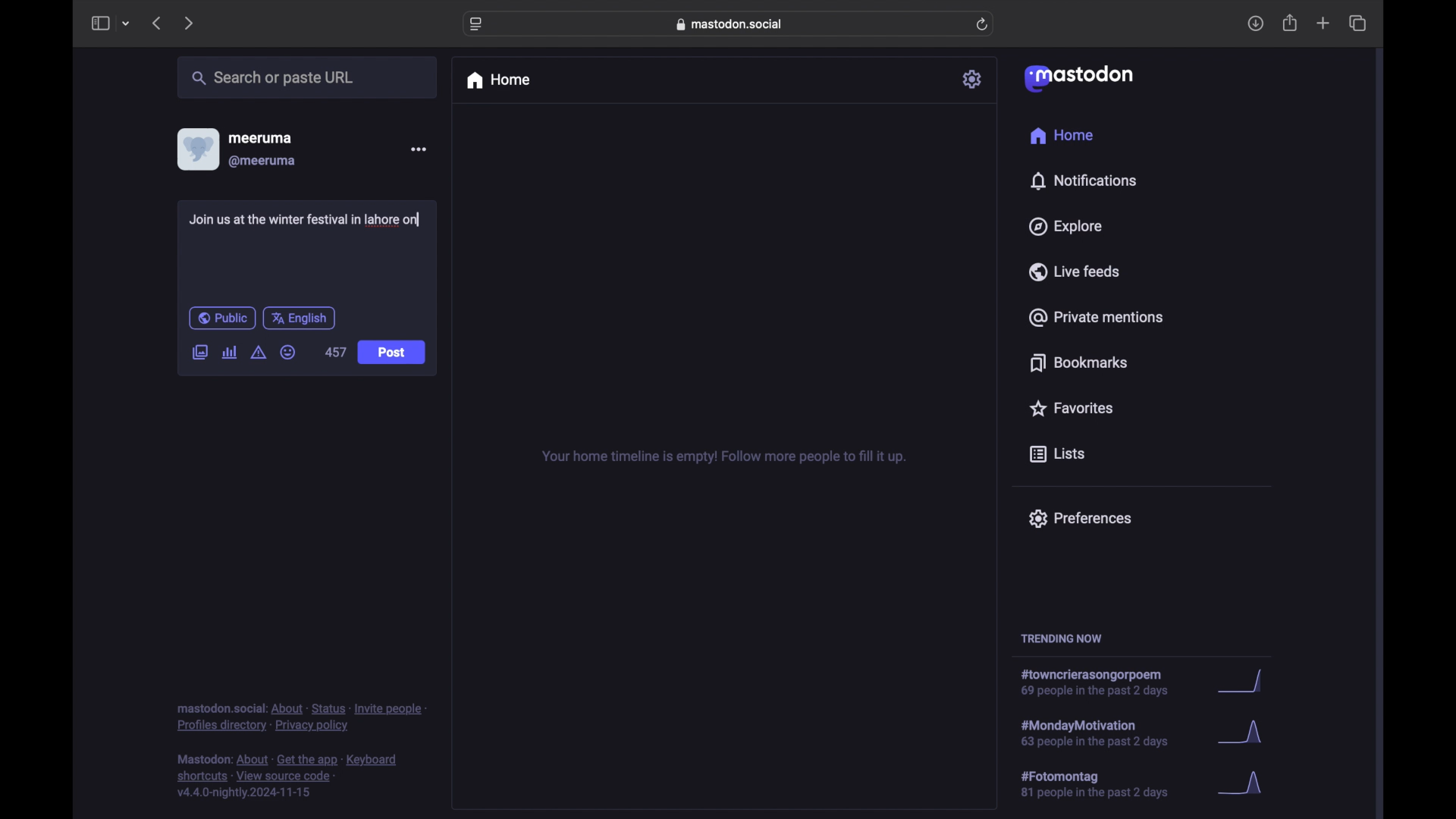  I want to click on footnote, so click(290, 777).